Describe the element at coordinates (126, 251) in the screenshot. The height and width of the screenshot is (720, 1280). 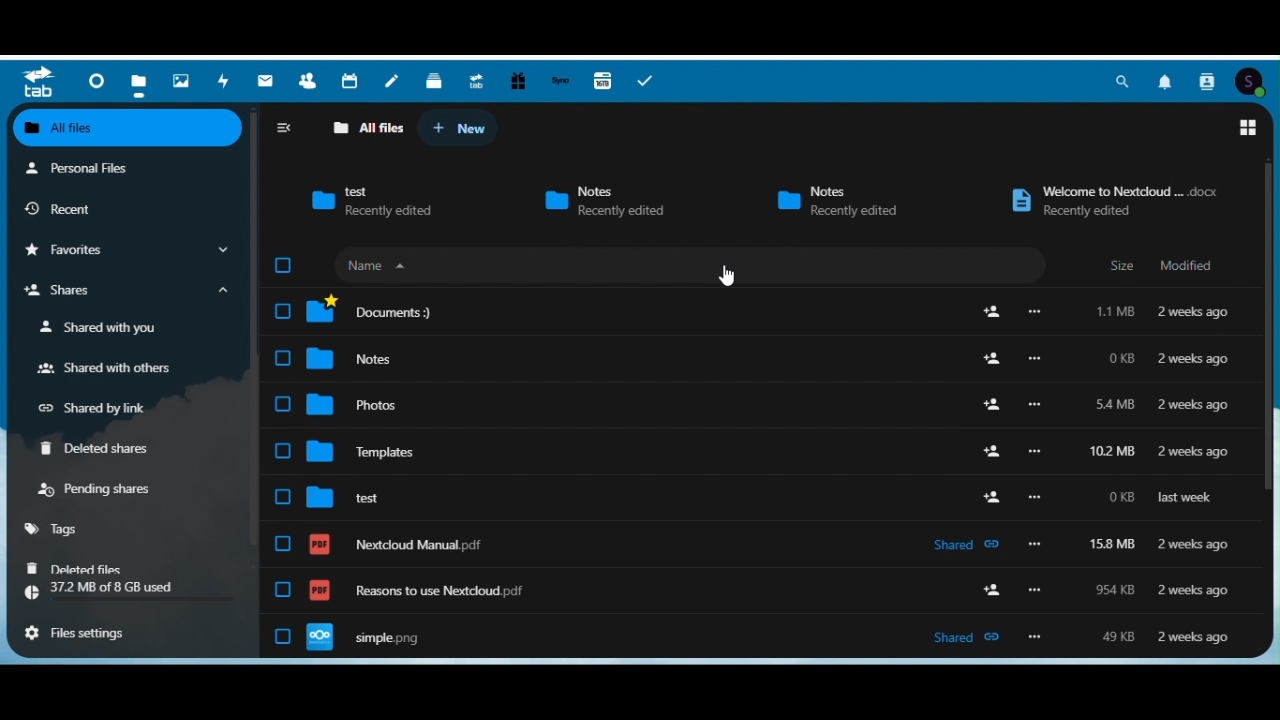
I see `Favourite` at that location.